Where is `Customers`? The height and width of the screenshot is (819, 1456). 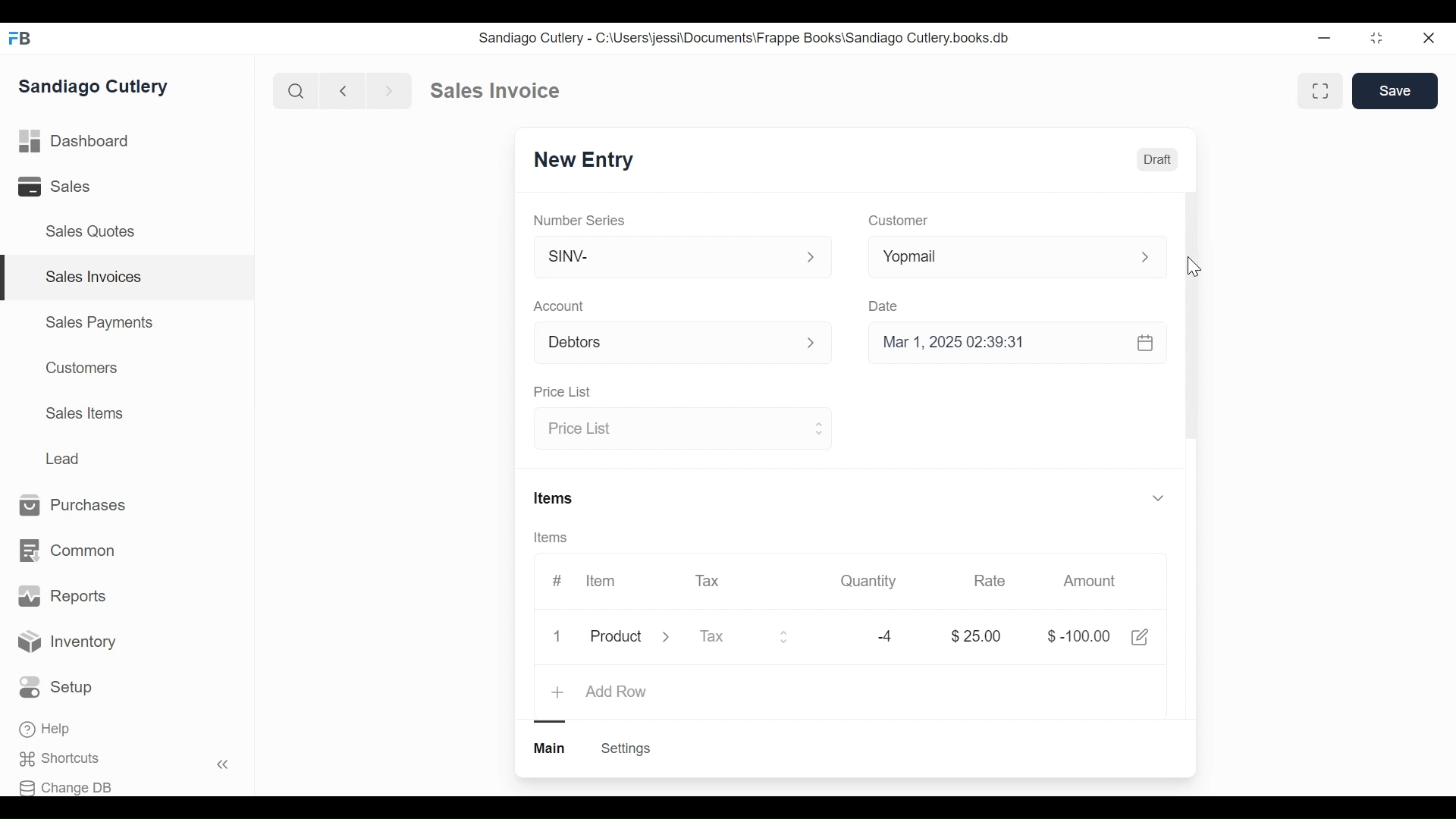
Customers is located at coordinates (83, 367).